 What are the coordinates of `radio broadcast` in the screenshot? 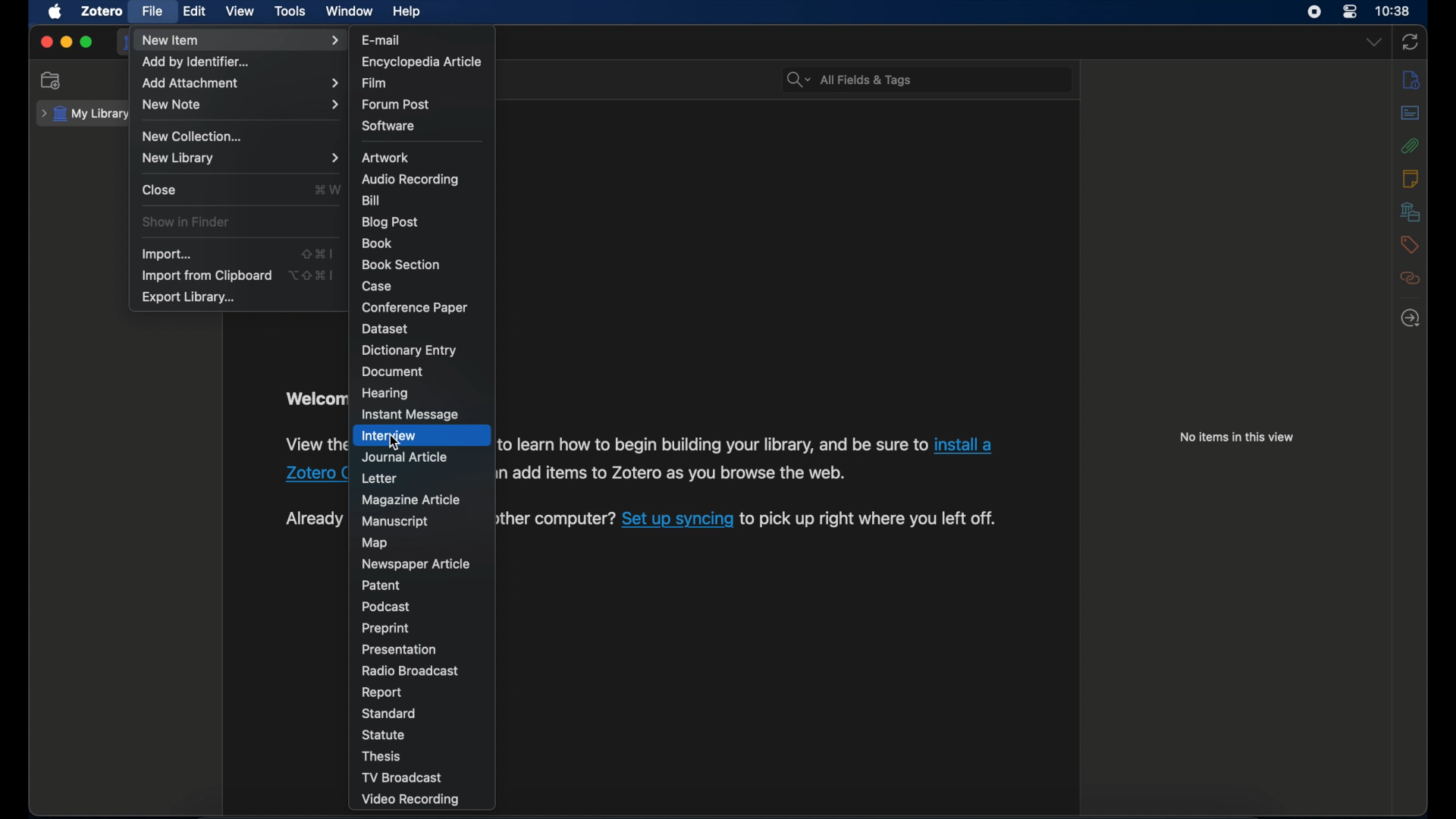 It's located at (410, 671).